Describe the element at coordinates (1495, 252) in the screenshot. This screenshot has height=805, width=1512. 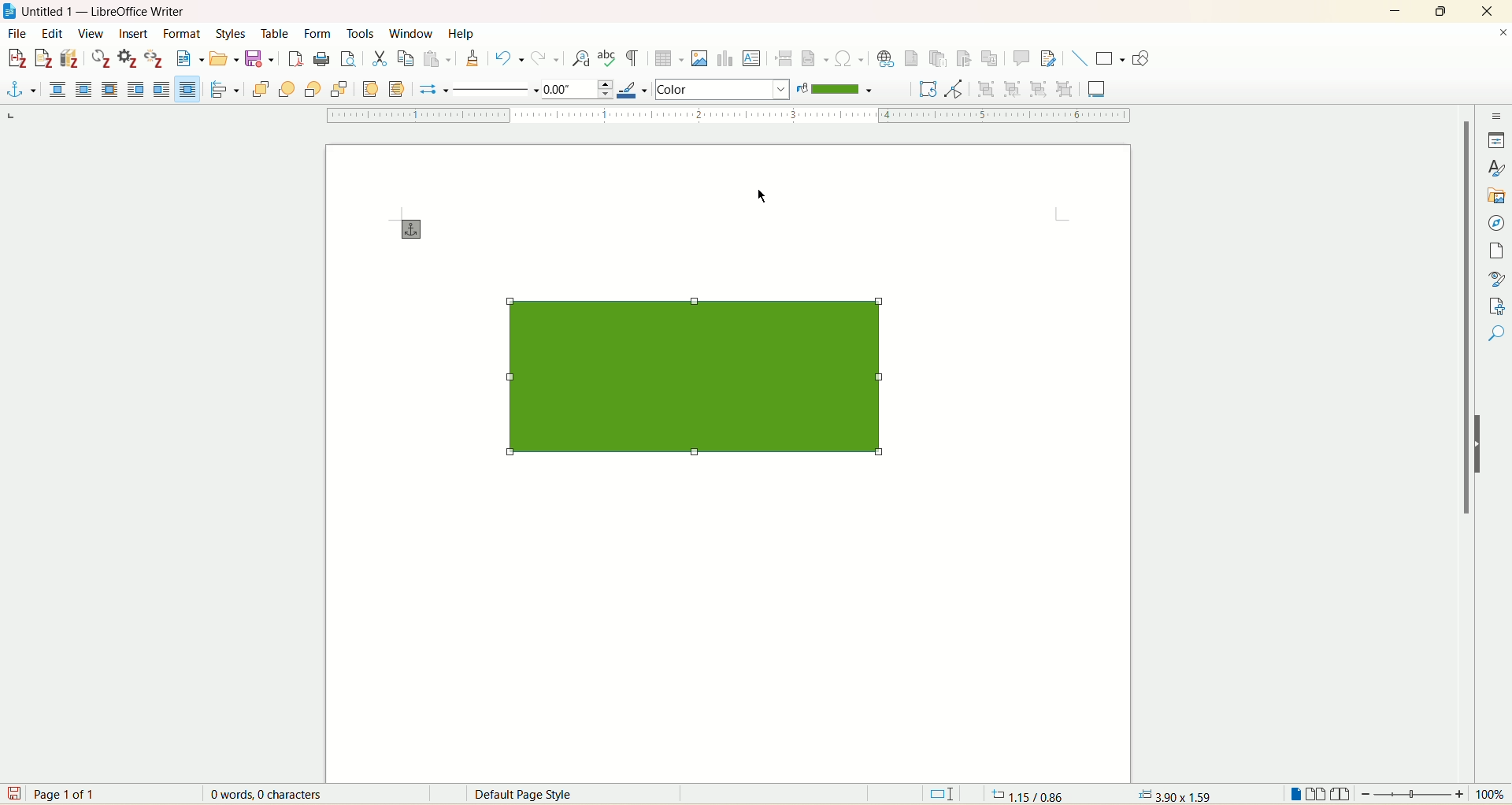
I see `page` at that location.